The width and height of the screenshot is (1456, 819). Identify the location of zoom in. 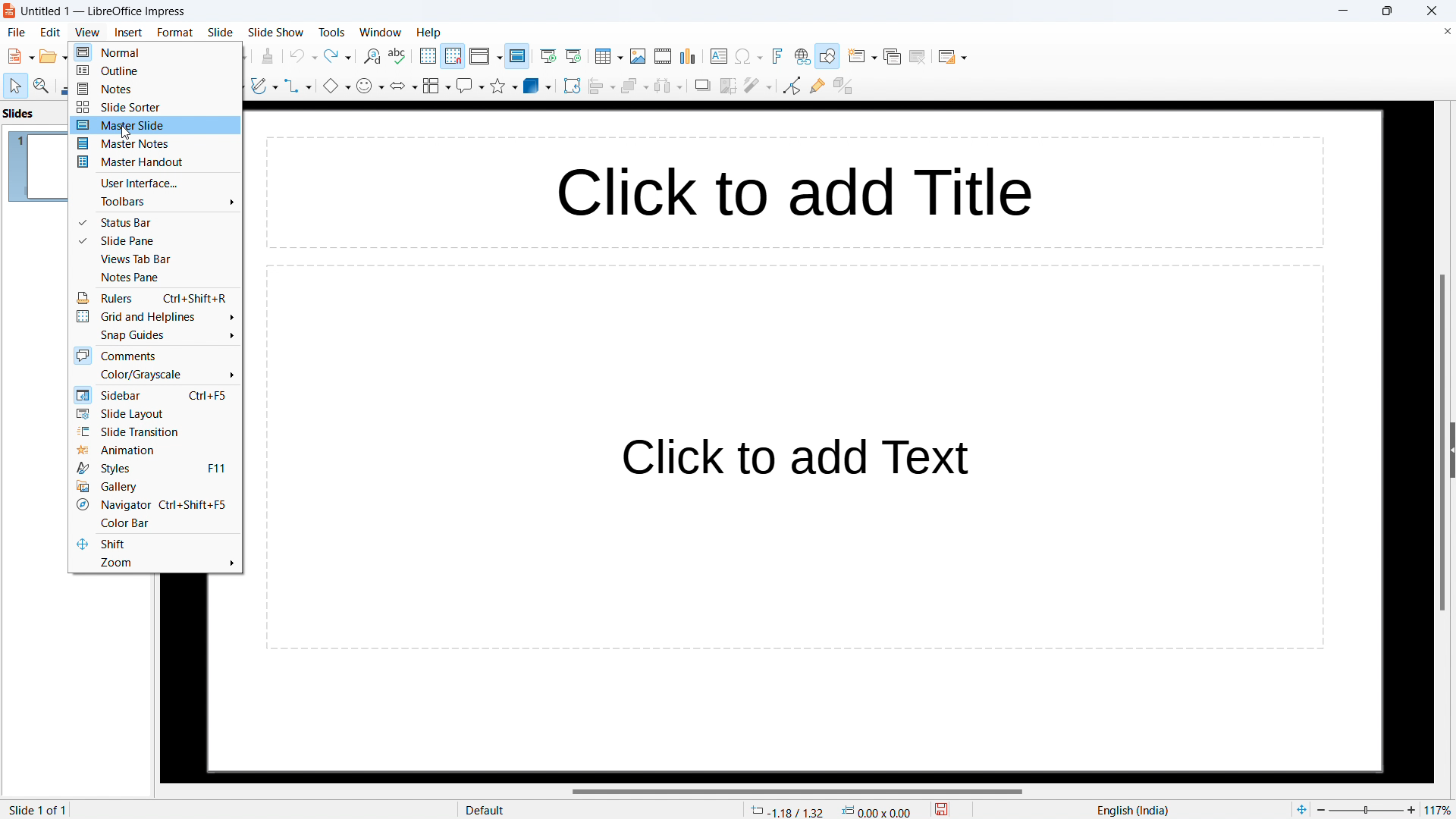
(1411, 808).